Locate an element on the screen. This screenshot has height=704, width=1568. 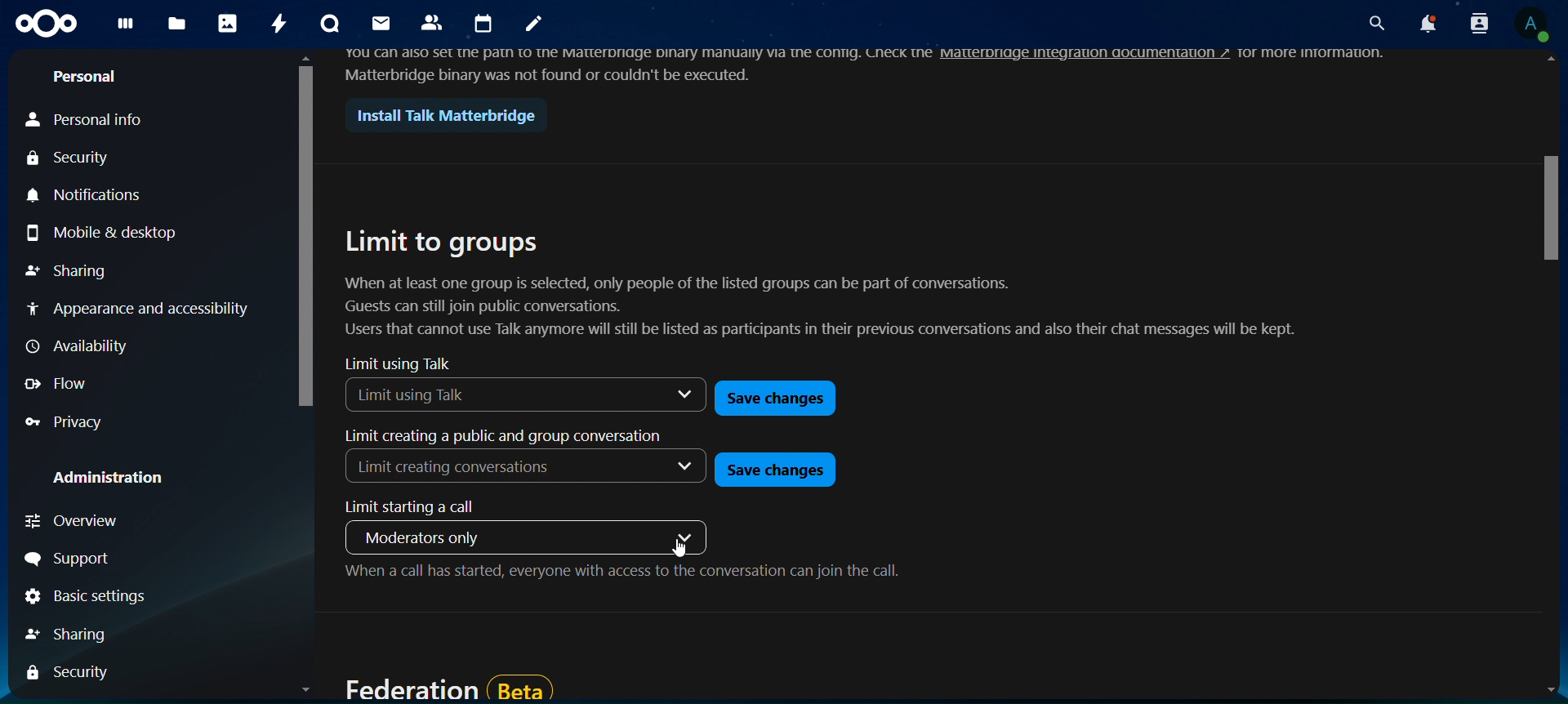
mobile & desktop is located at coordinates (102, 234).